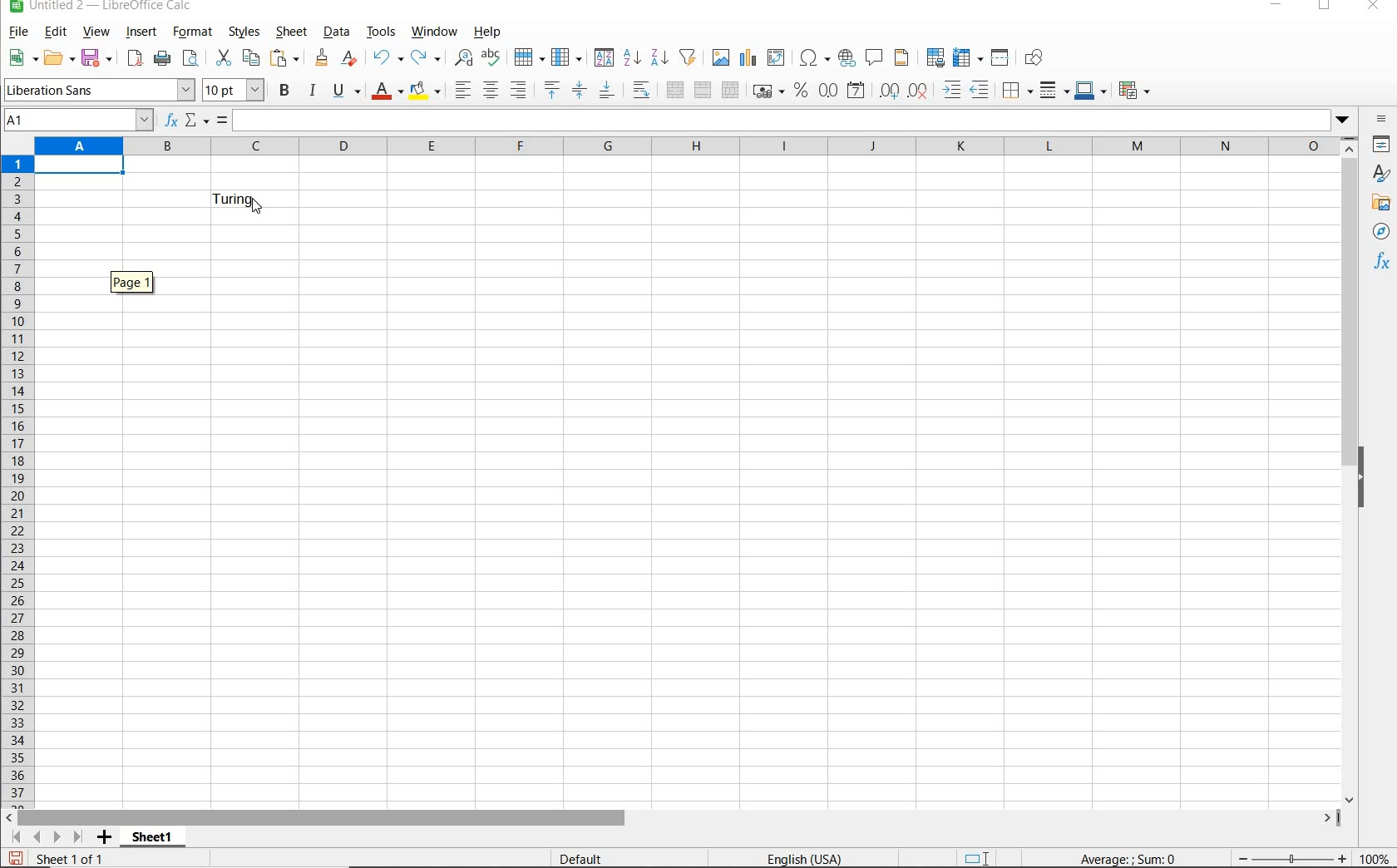 The height and width of the screenshot is (868, 1397). I want to click on PRINT, so click(163, 60).